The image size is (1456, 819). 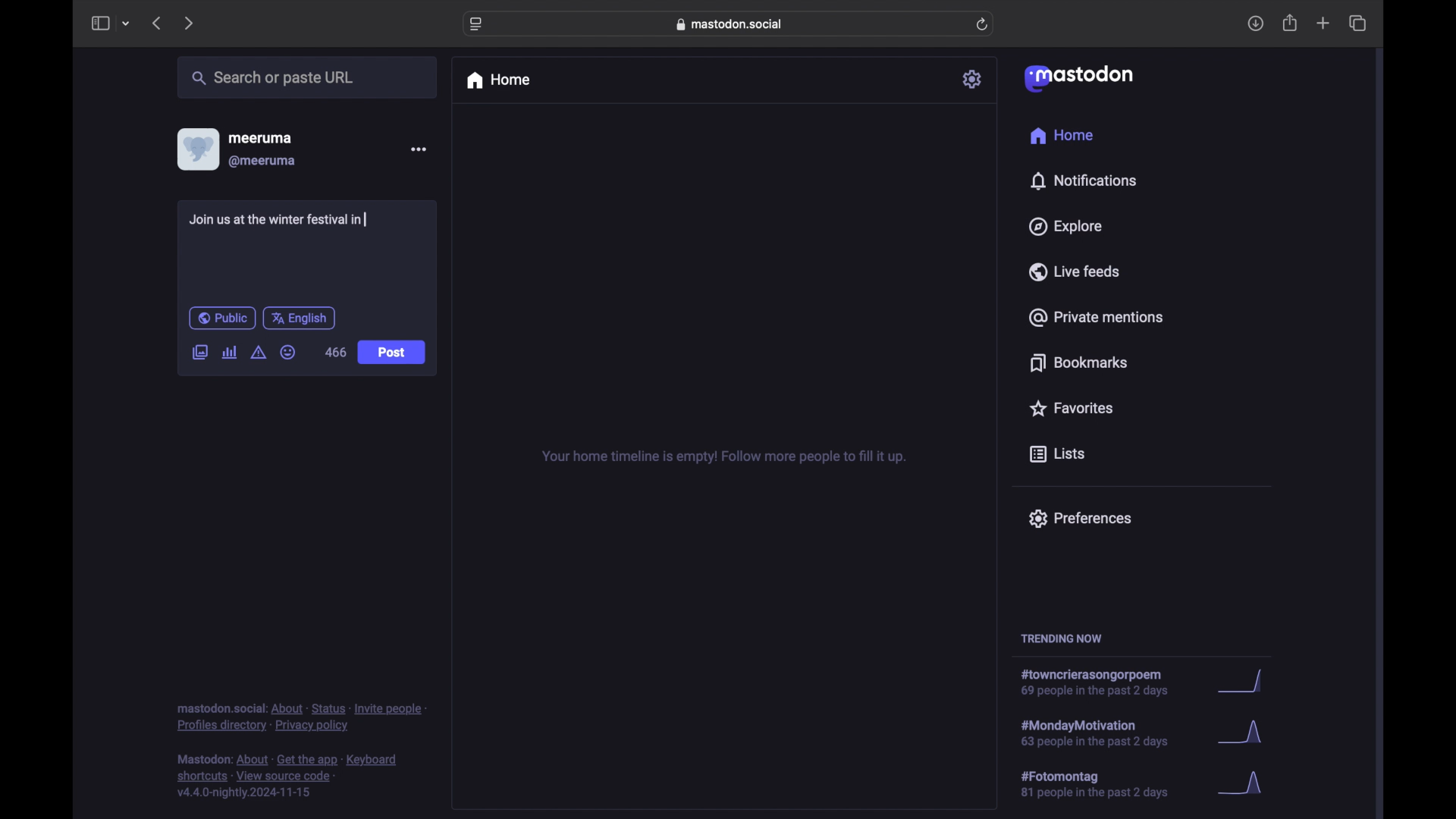 What do you see at coordinates (1078, 362) in the screenshot?
I see `bookmarks` at bounding box center [1078, 362].